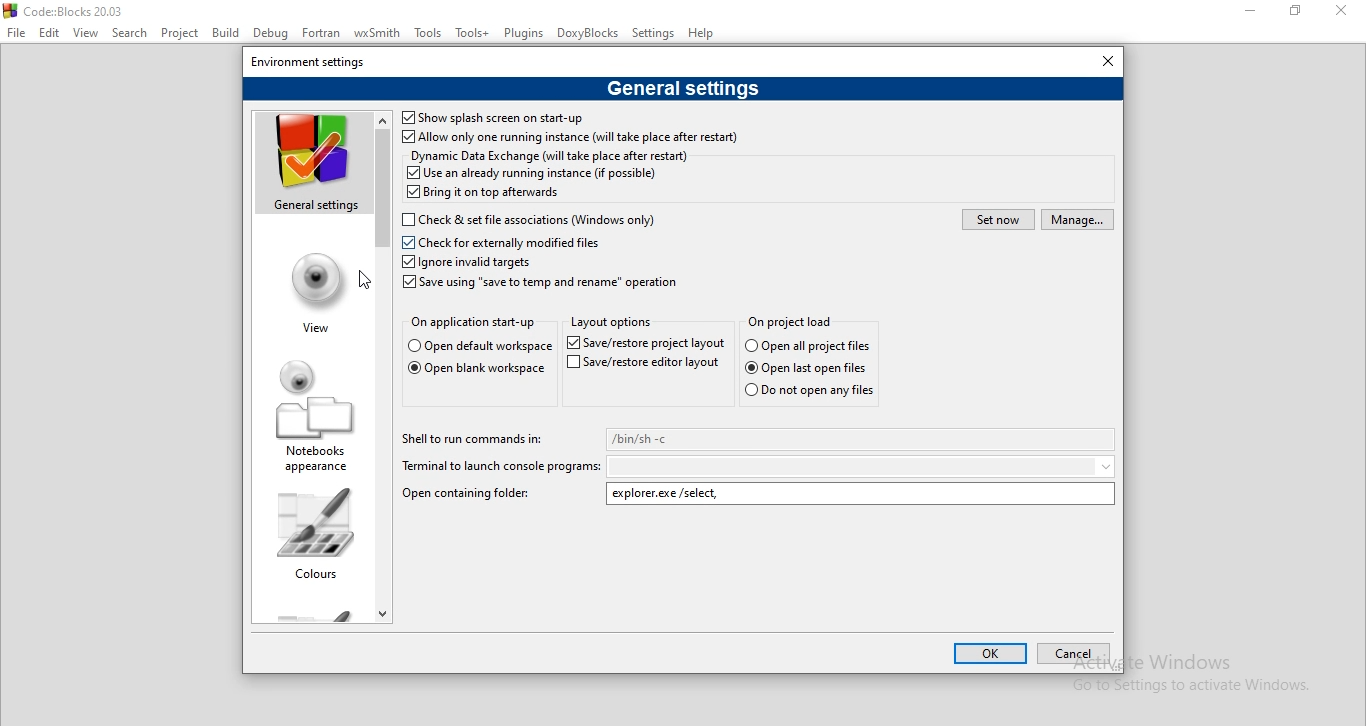  Describe the element at coordinates (537, 282) in the screenshot. I see `Save using 'save to temp and rename" operation` at that location.